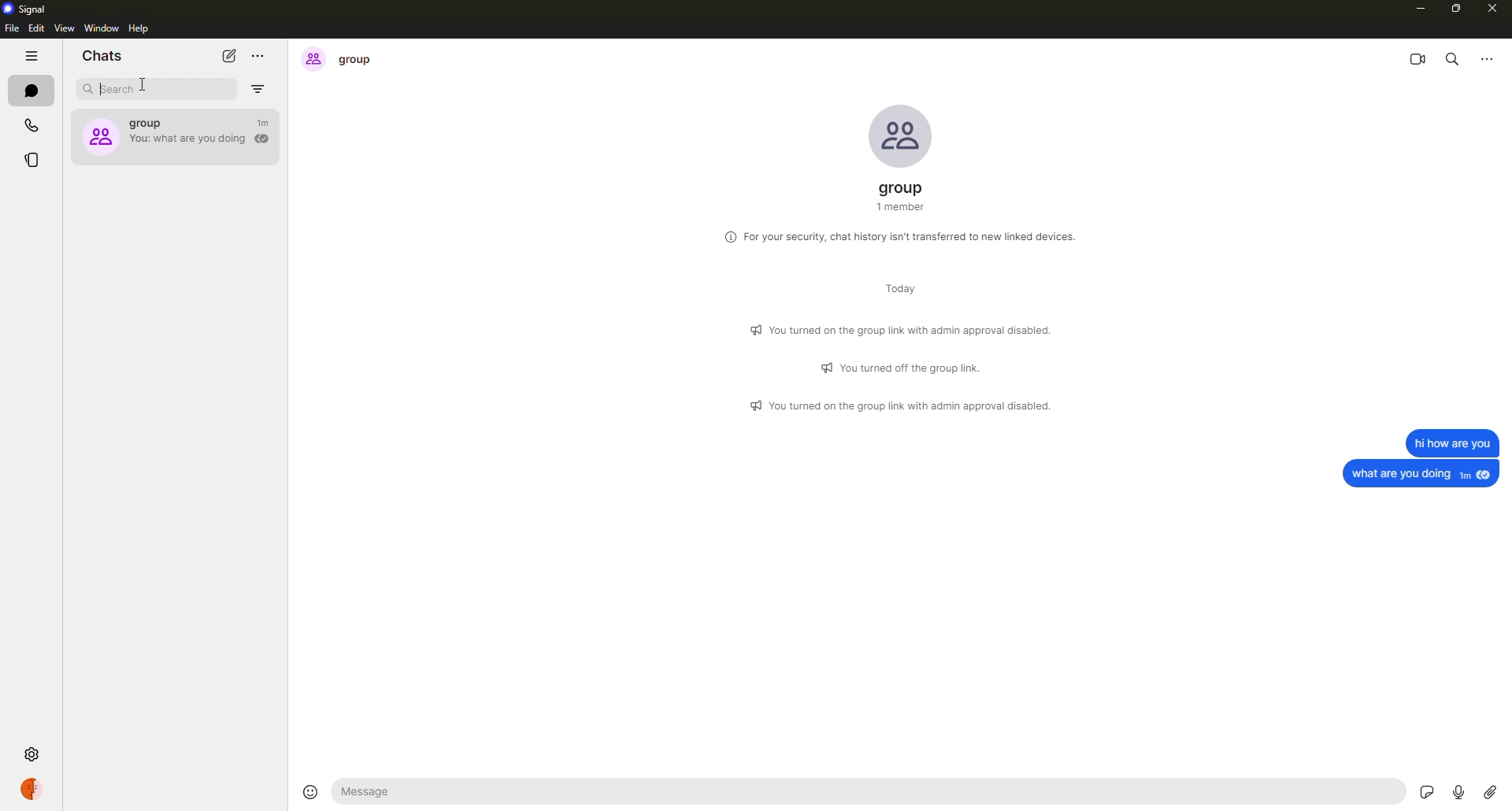  I want to click on profile, so click(31, 788).